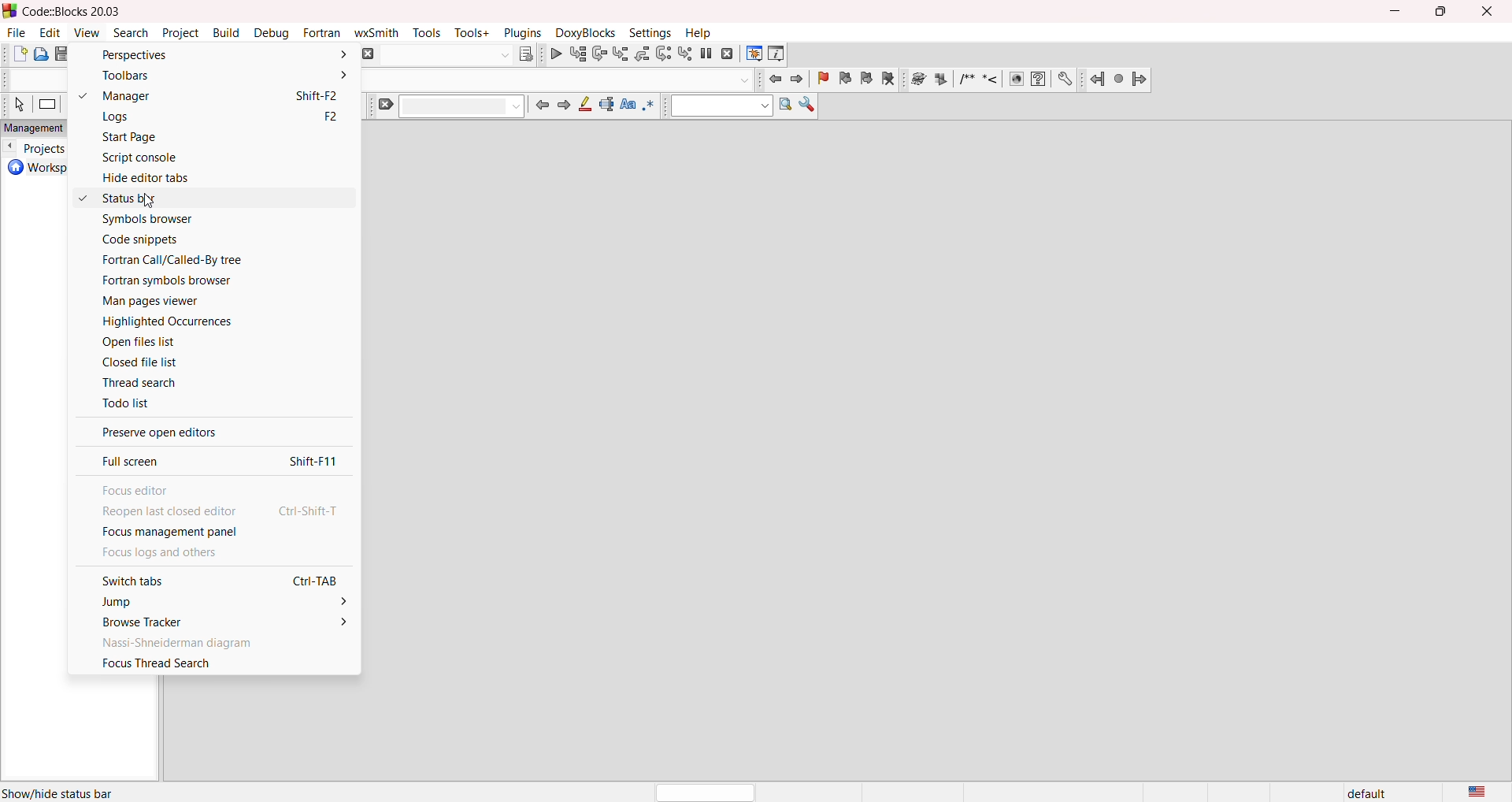  I want to click on jump back, so click(546, 108).